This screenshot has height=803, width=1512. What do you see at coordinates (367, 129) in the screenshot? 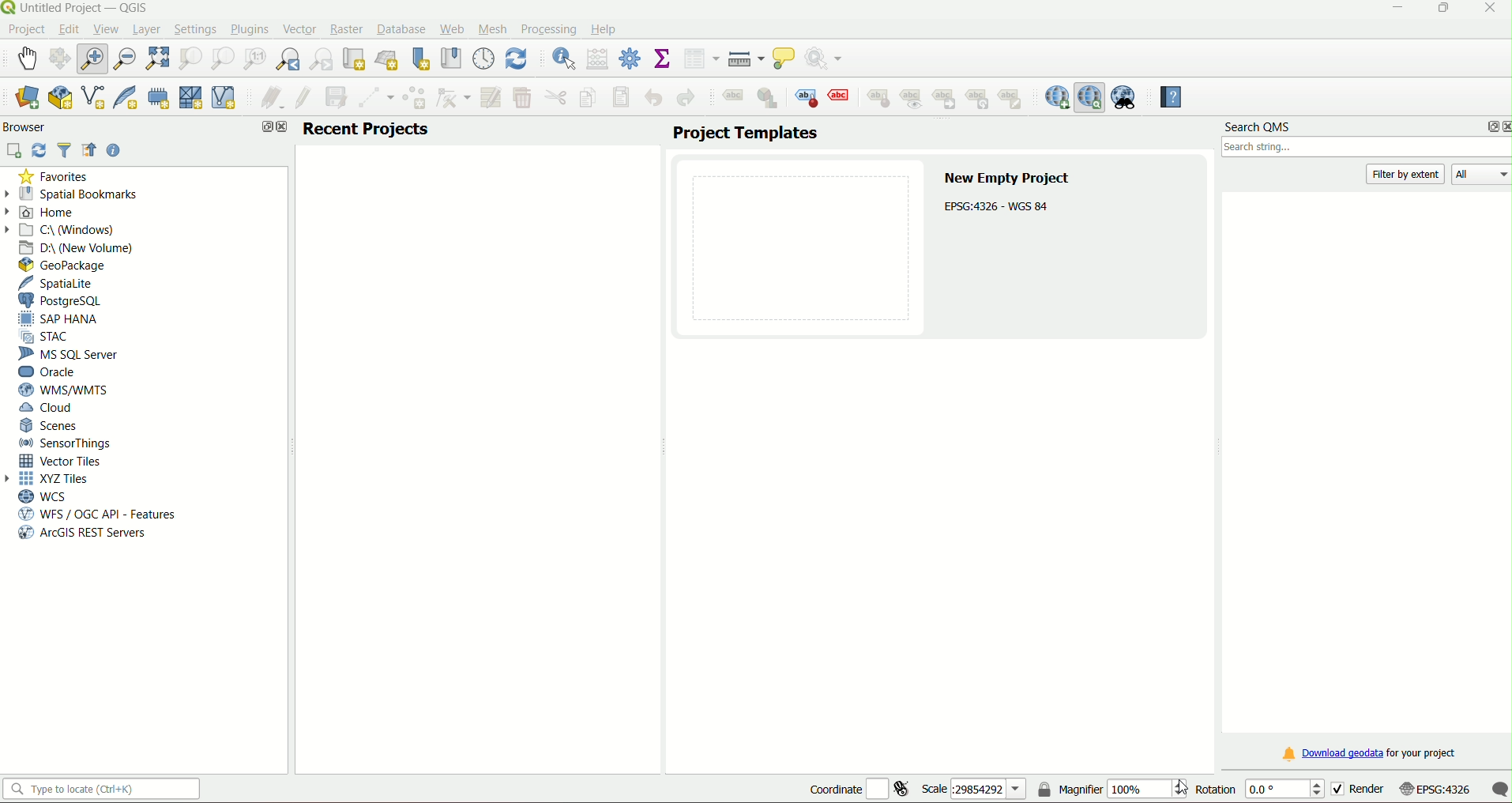
I see `recent projects` at bounding box center [367, 129].